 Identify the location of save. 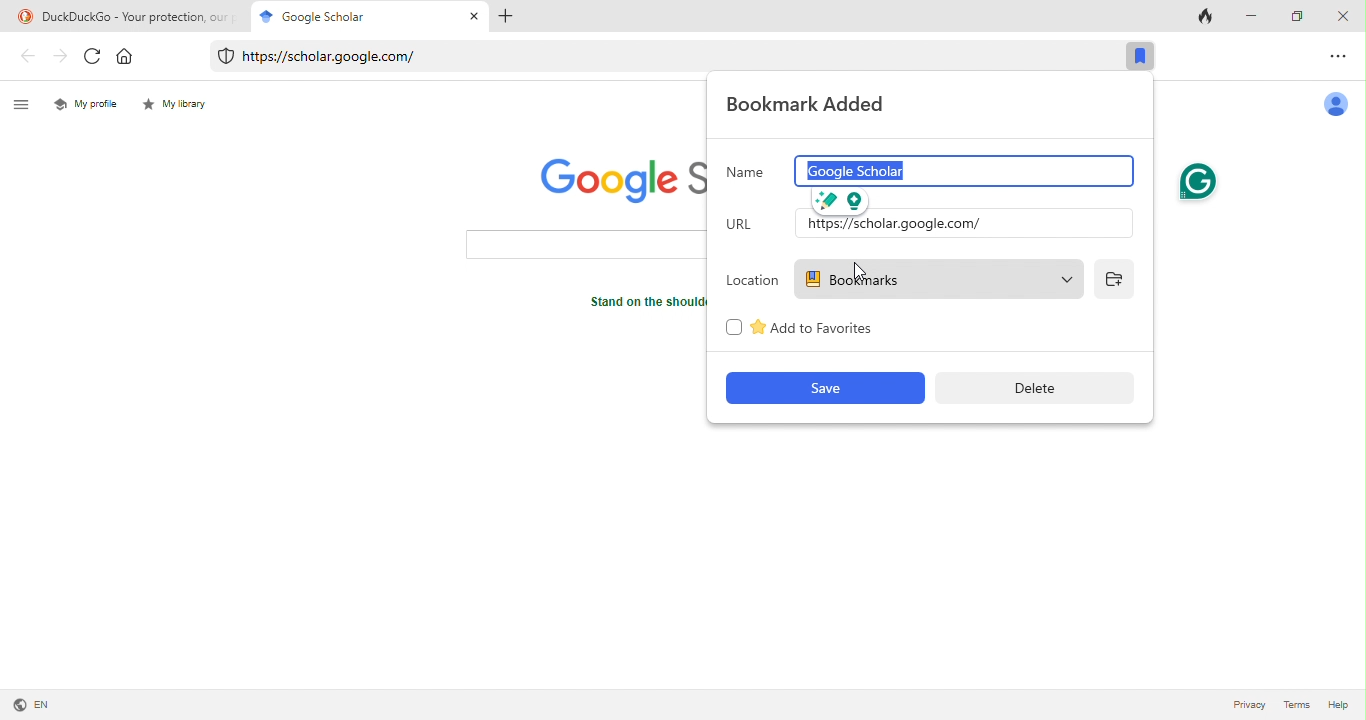
(823, 390).